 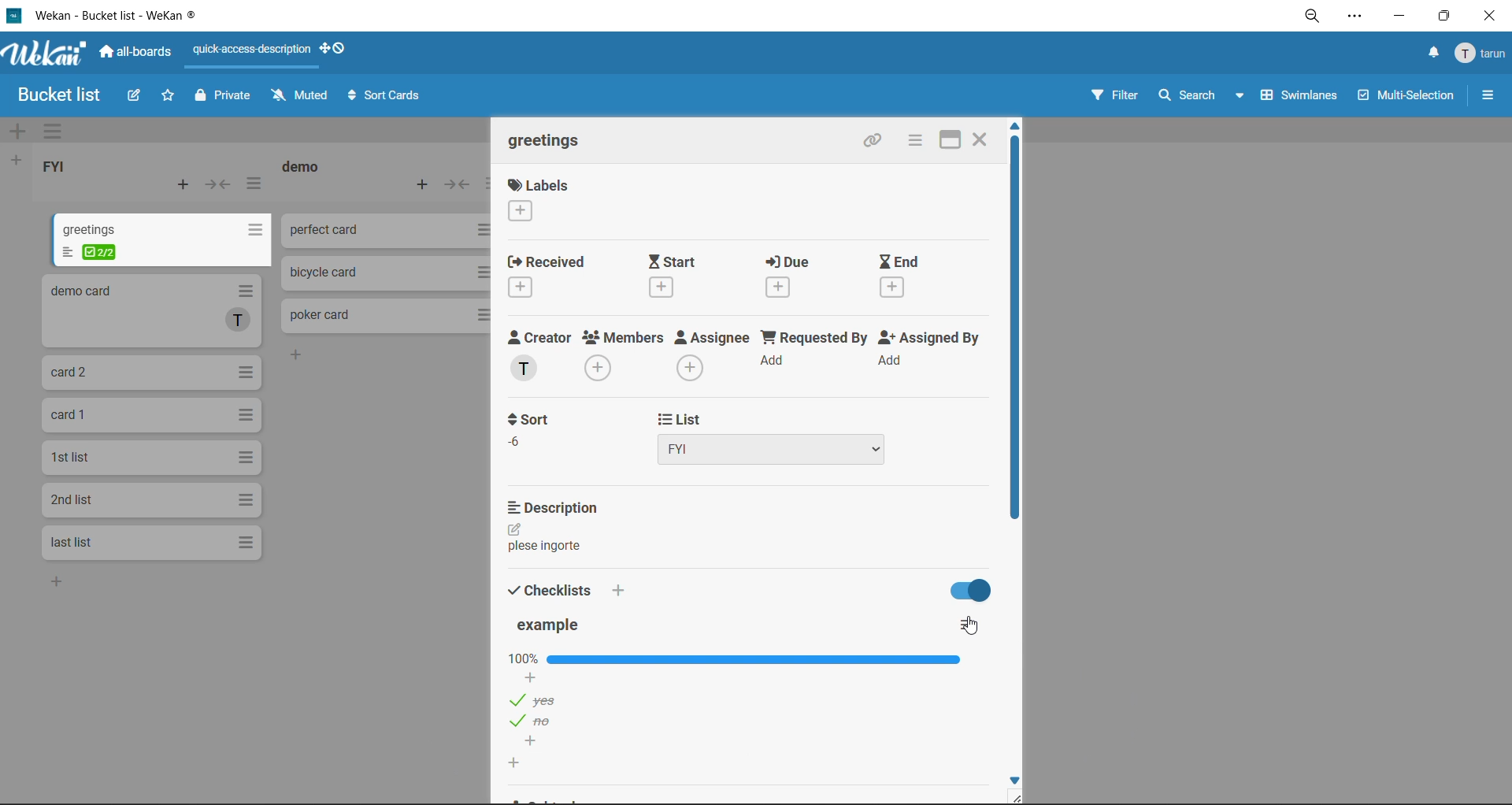 I want to click on close, so click(x=1492, y=14).